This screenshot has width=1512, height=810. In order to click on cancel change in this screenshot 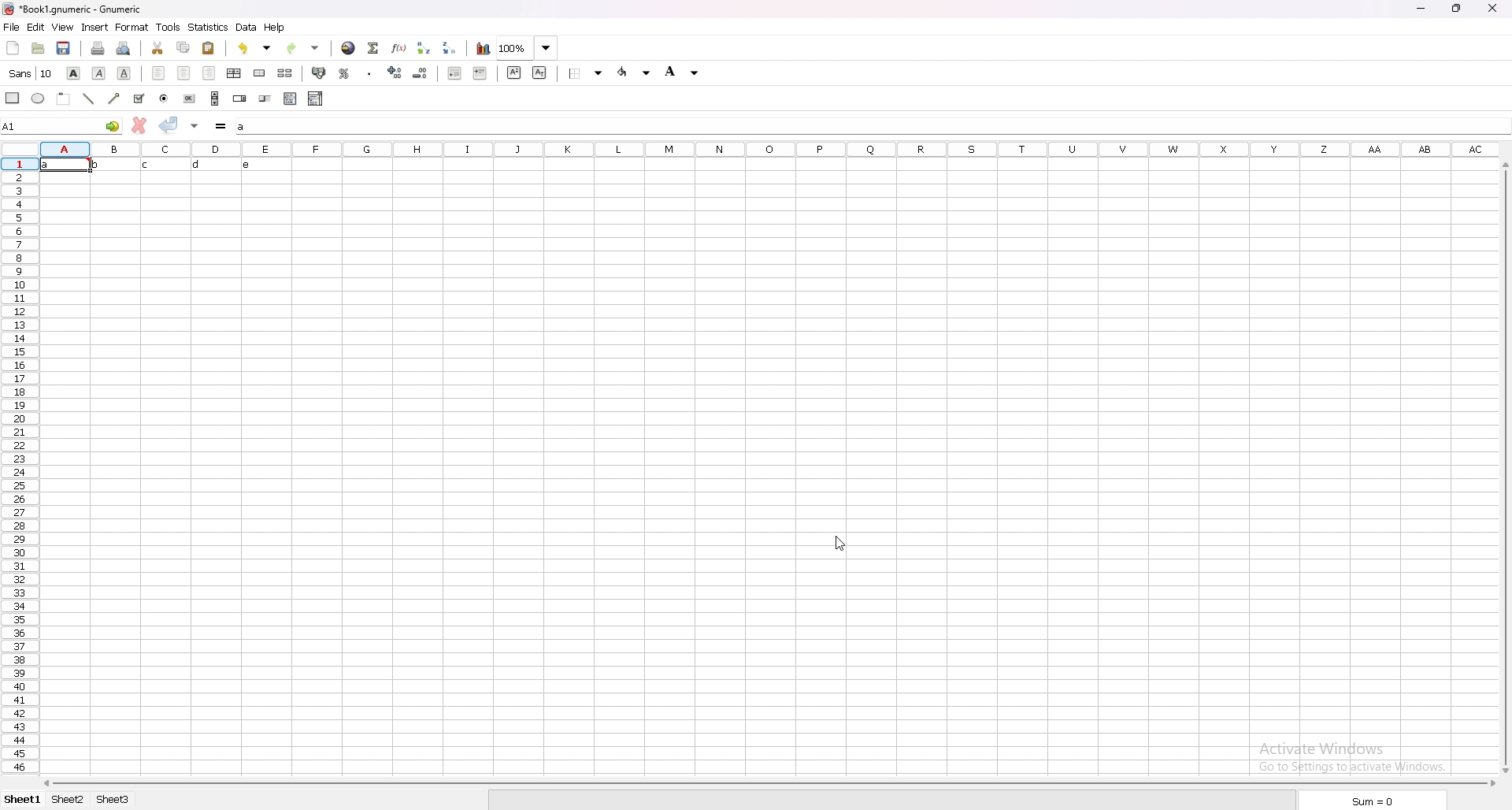, I will do `click(139, 124)`.